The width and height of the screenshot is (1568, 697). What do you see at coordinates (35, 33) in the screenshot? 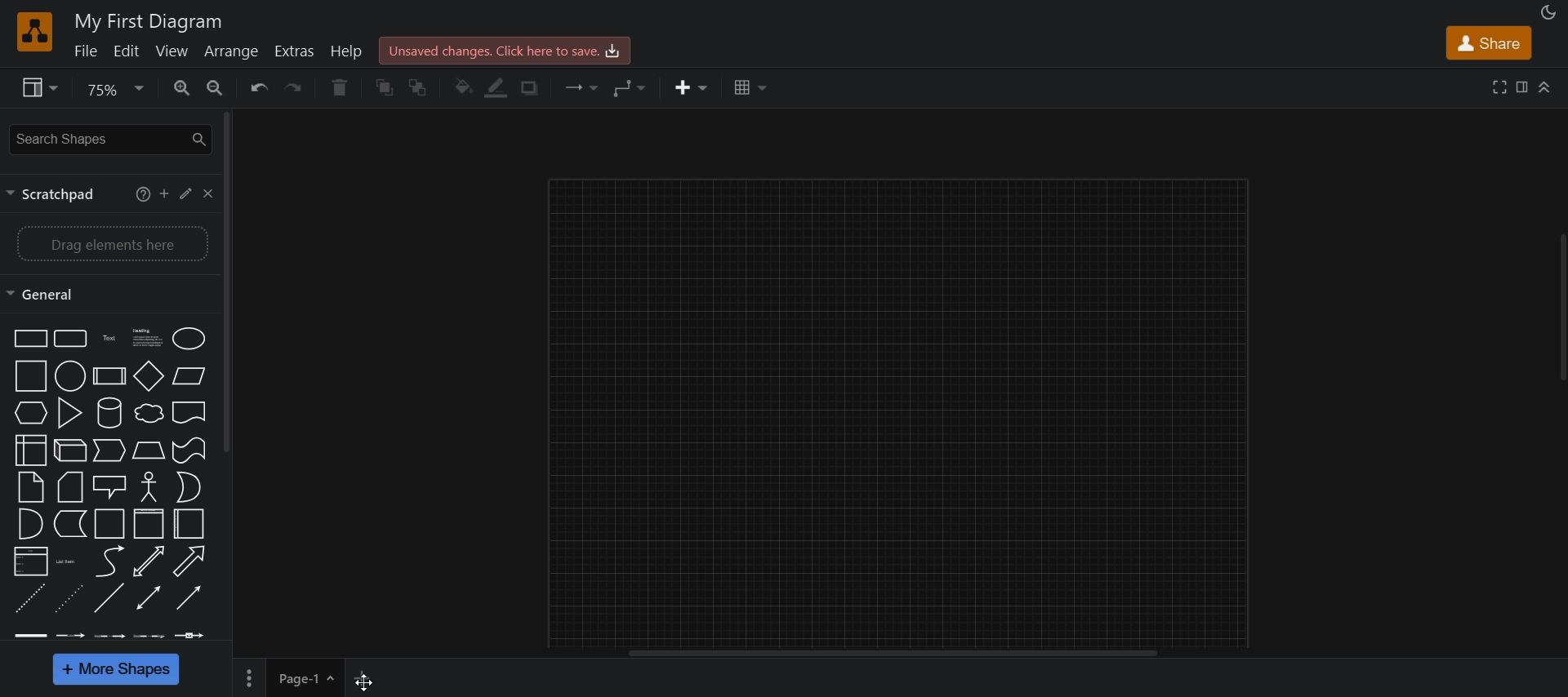
I see `logo` at bounding box center [35, 33].